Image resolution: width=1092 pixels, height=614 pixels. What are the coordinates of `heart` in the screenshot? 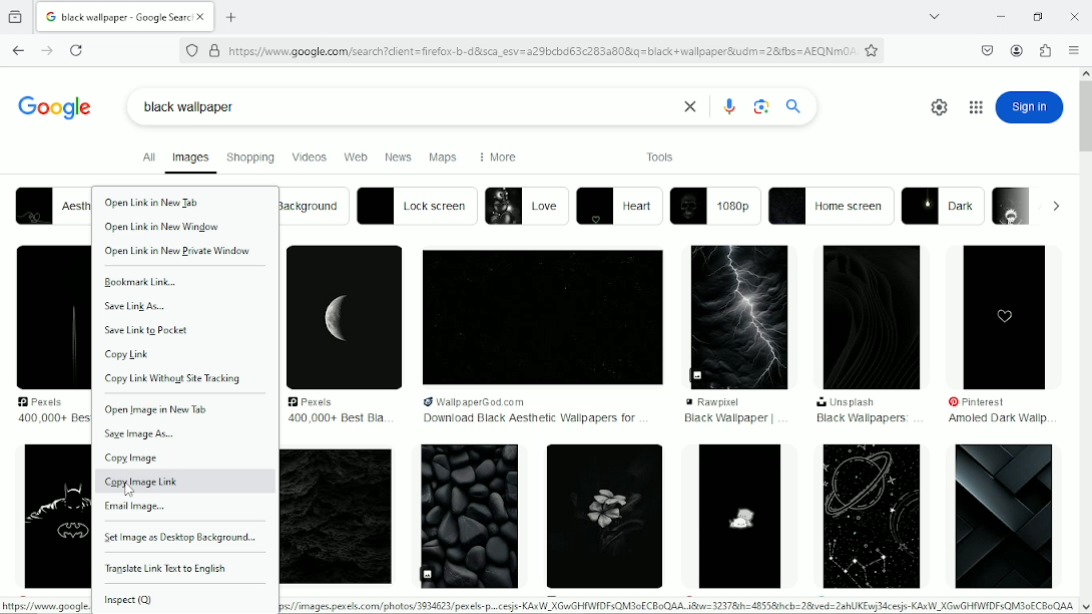 It's located at (620, 207).